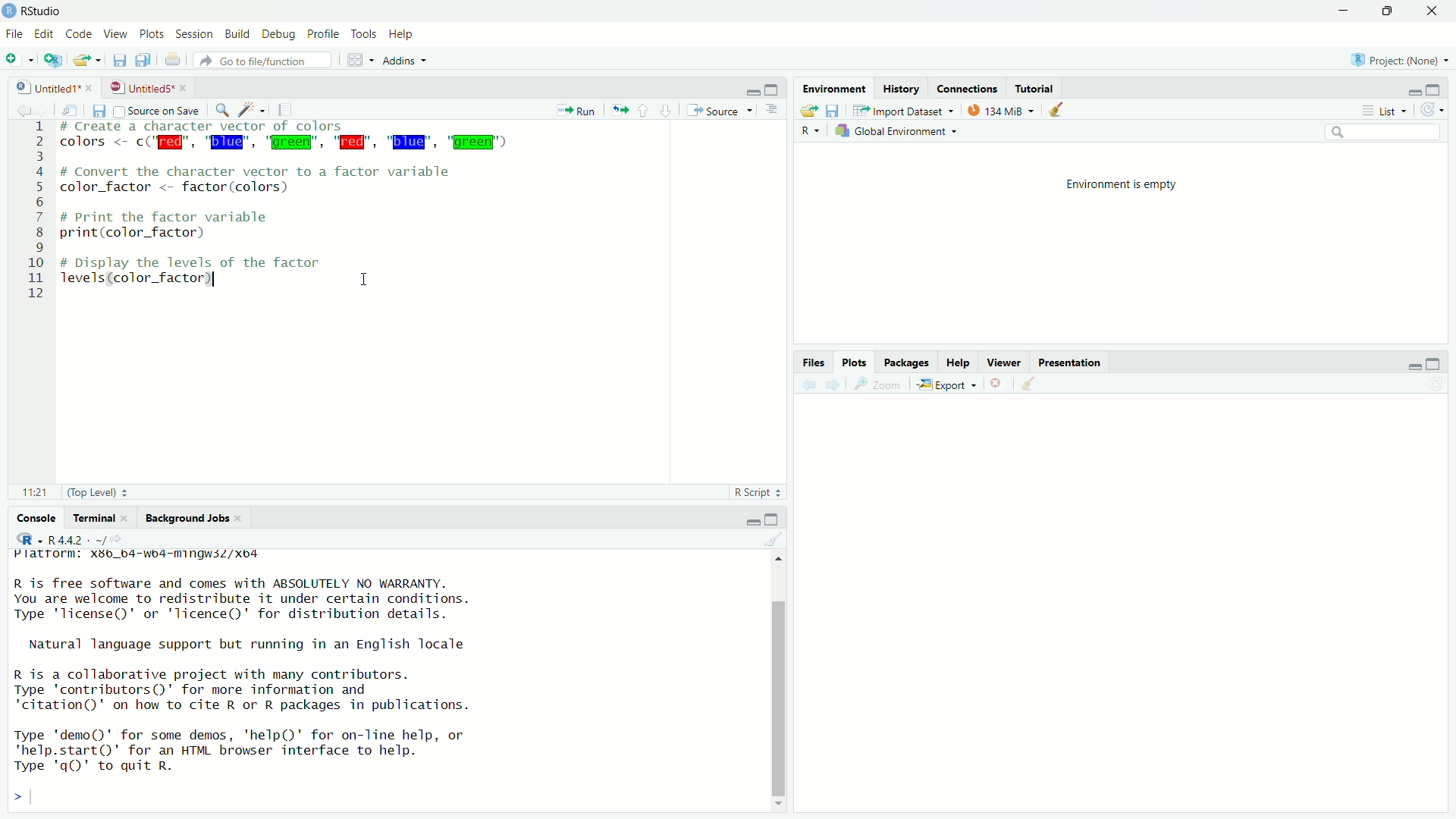  What do you see at coordinates (773, 89) in the screenshot?
I see `maximize` at bounding box center [773, 89].